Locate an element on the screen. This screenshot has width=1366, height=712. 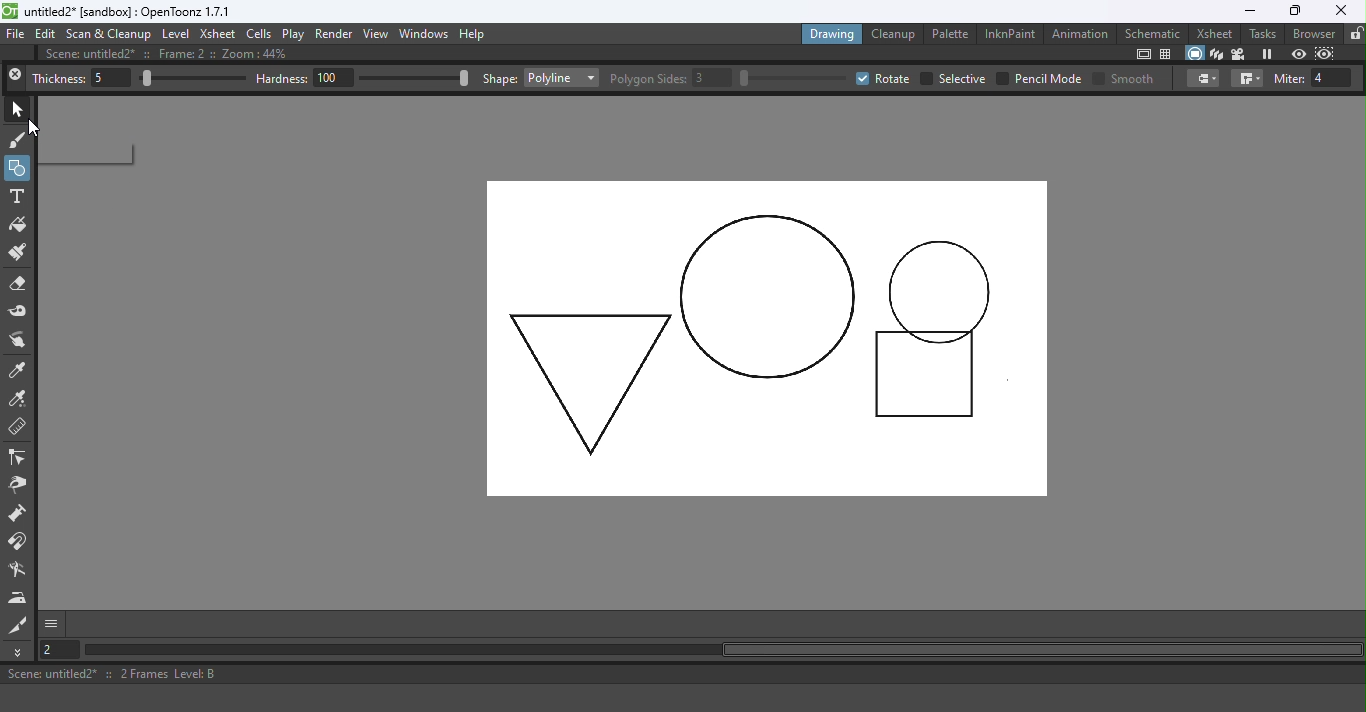
Ruler tool is located at coordinates (18, 428).